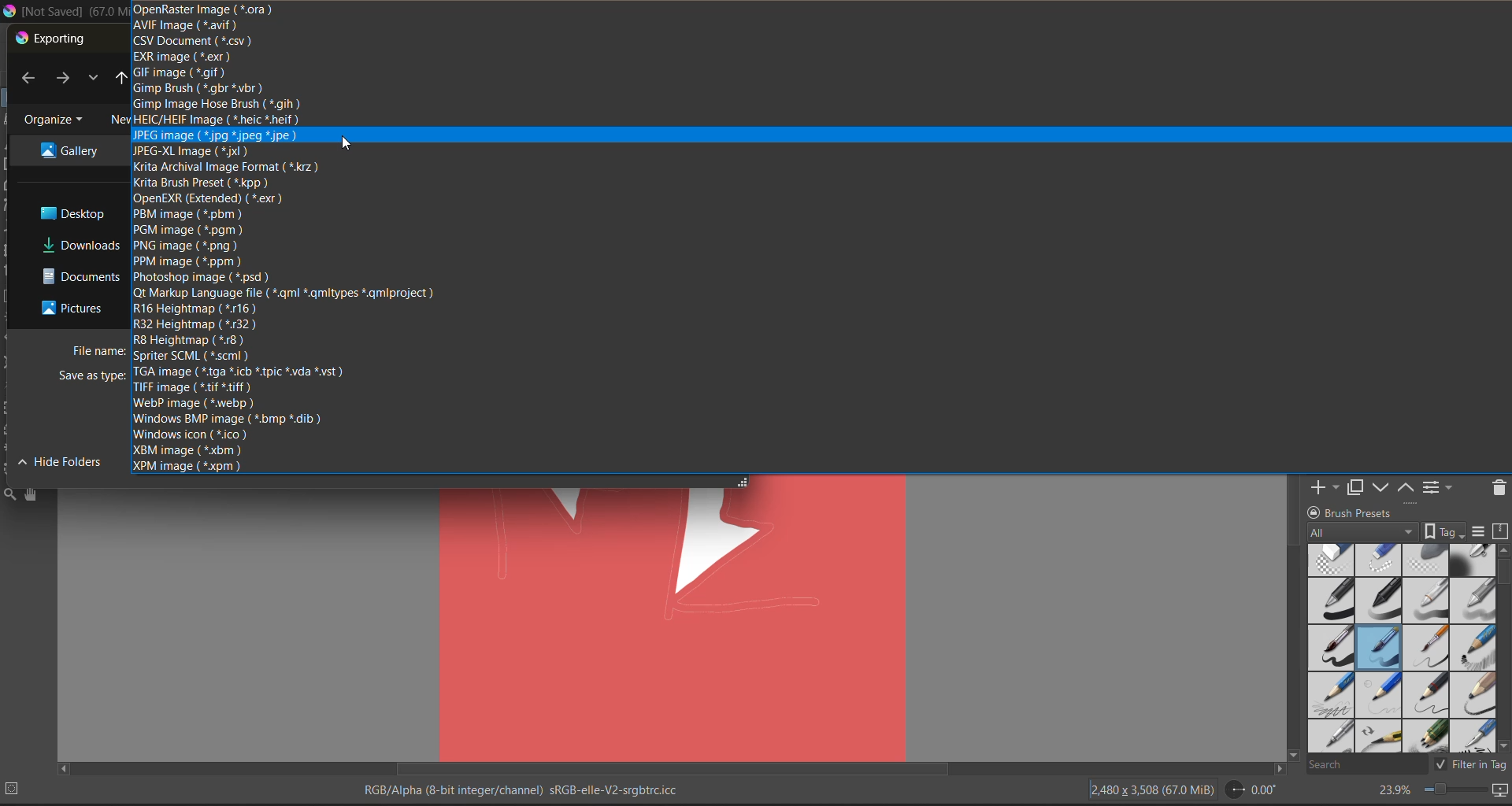  Describe the element at coordinates (65, 460) in the screenshot. I see `Hide folder` at that location.